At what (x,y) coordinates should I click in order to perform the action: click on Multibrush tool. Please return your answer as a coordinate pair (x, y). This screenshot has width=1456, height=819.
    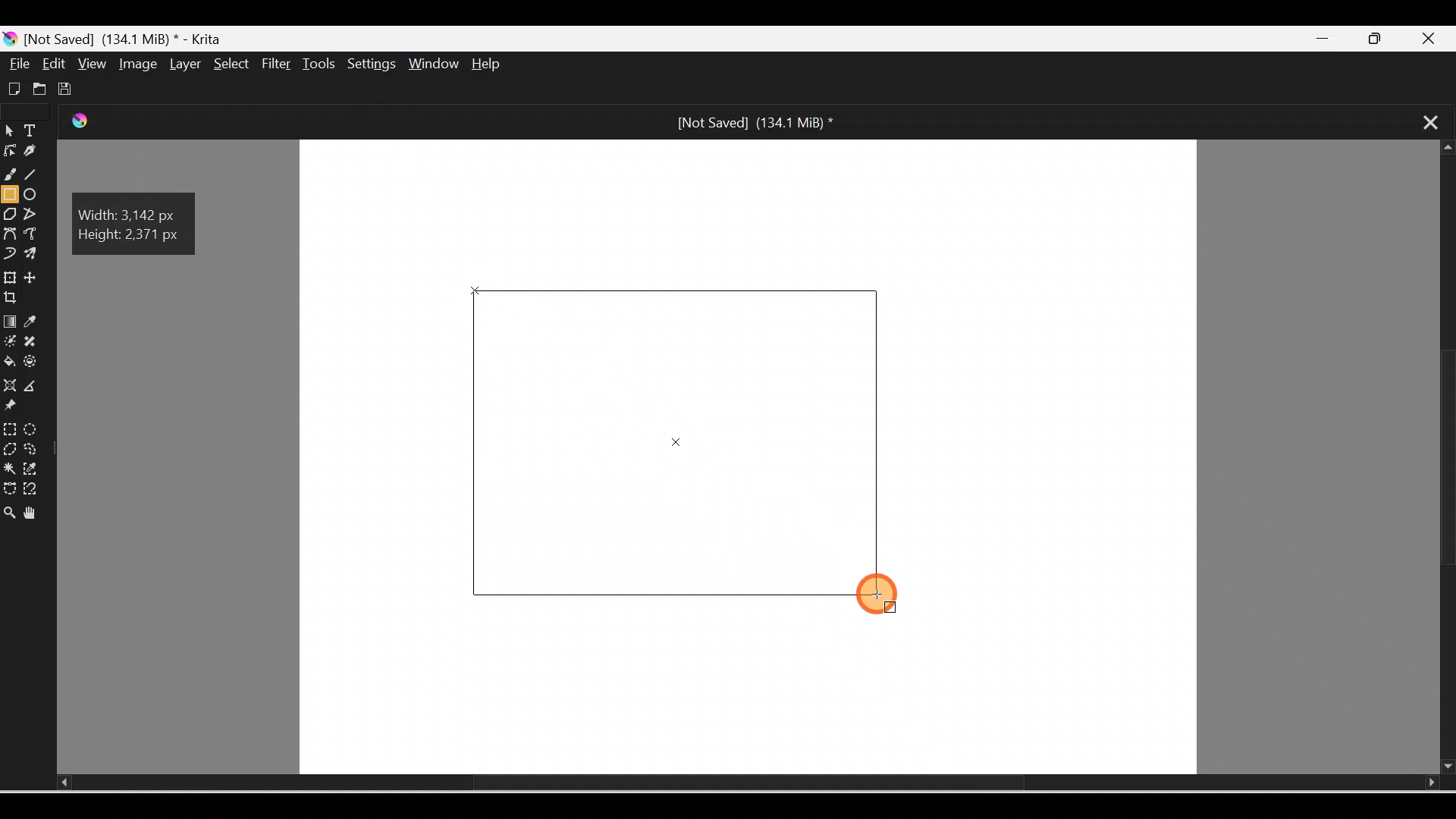
    Looking at the image, I should click on (33, 256).